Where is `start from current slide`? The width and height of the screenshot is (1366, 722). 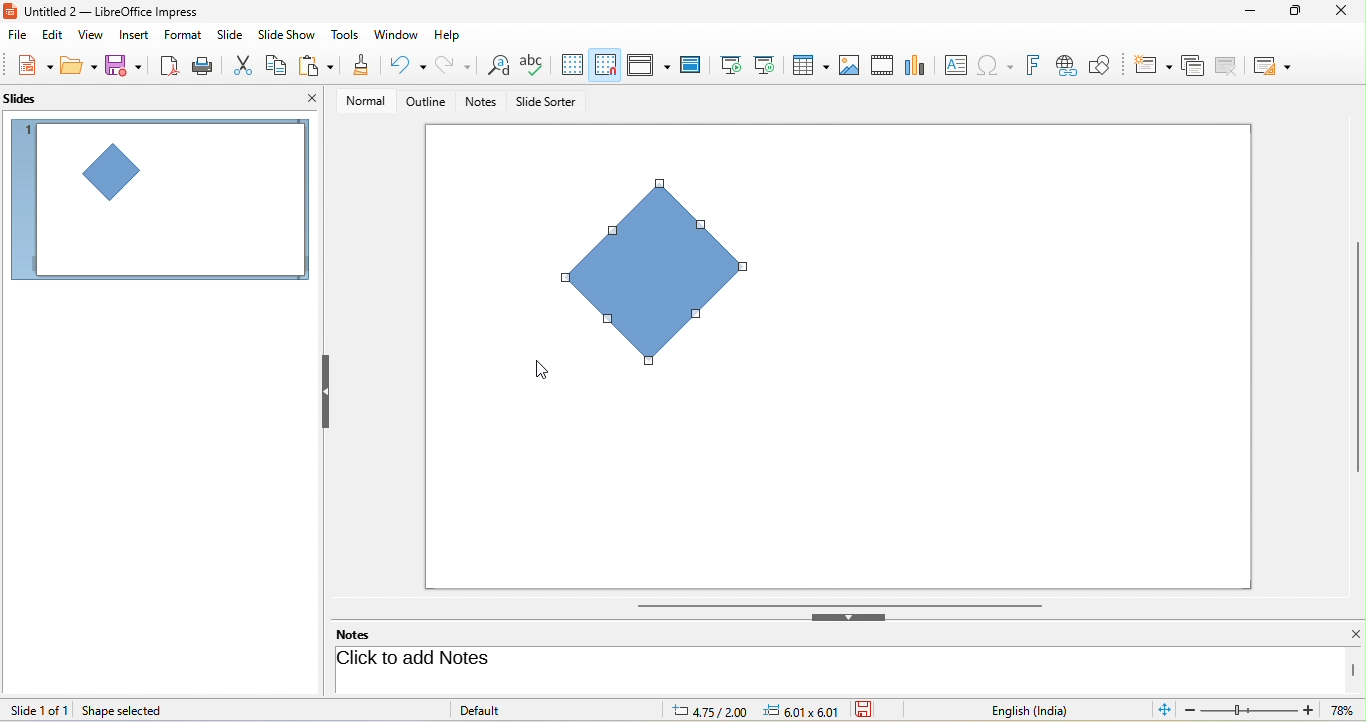 start from current slide is located at coordinates (770, 65).